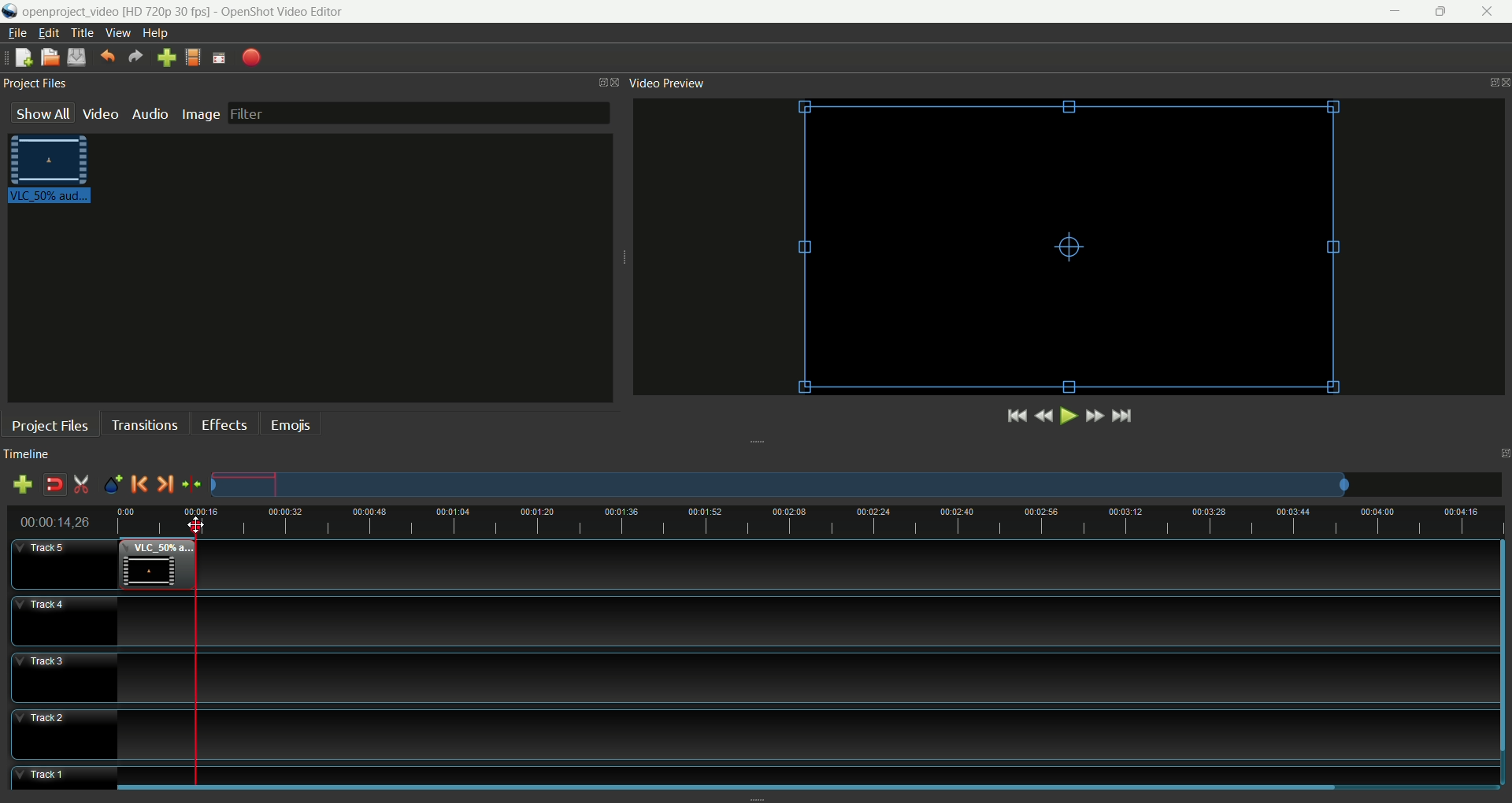 This screenshot has height=803, width=1512. I want to click on video, so click(102, 113).